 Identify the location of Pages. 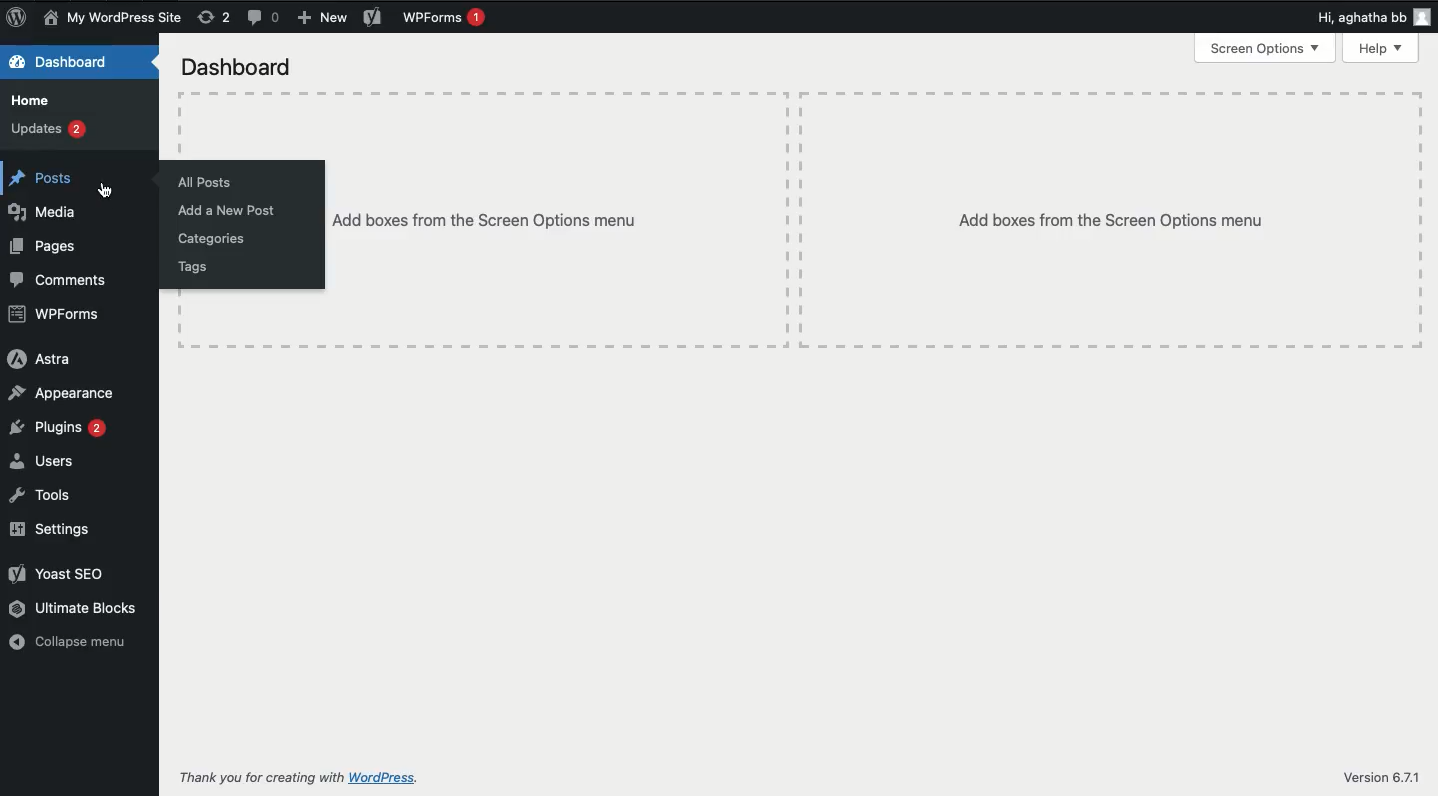
(45, 247).